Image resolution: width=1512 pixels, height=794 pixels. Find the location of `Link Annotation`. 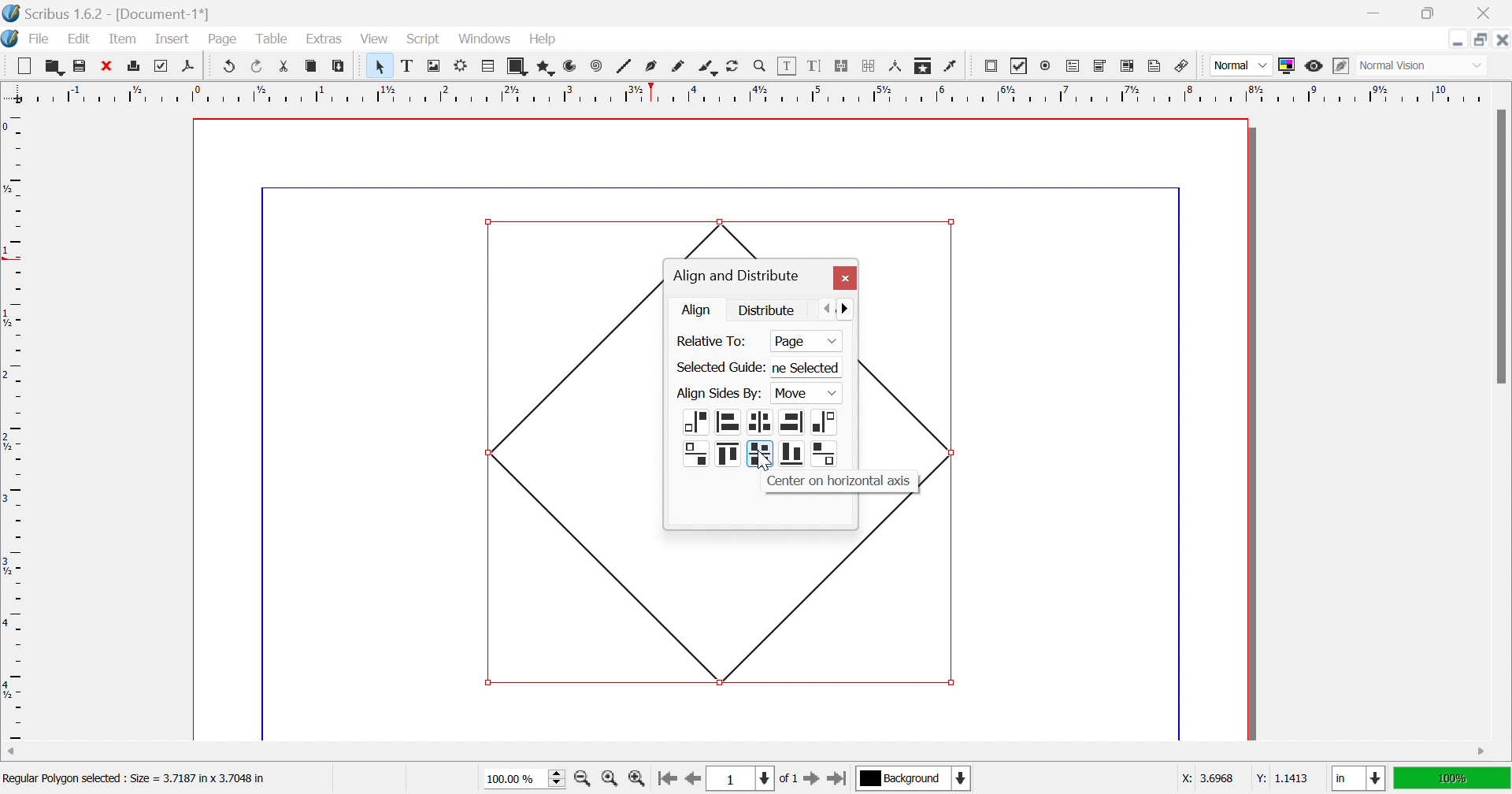

Link Annotation is located at coordinates (1182, 68).